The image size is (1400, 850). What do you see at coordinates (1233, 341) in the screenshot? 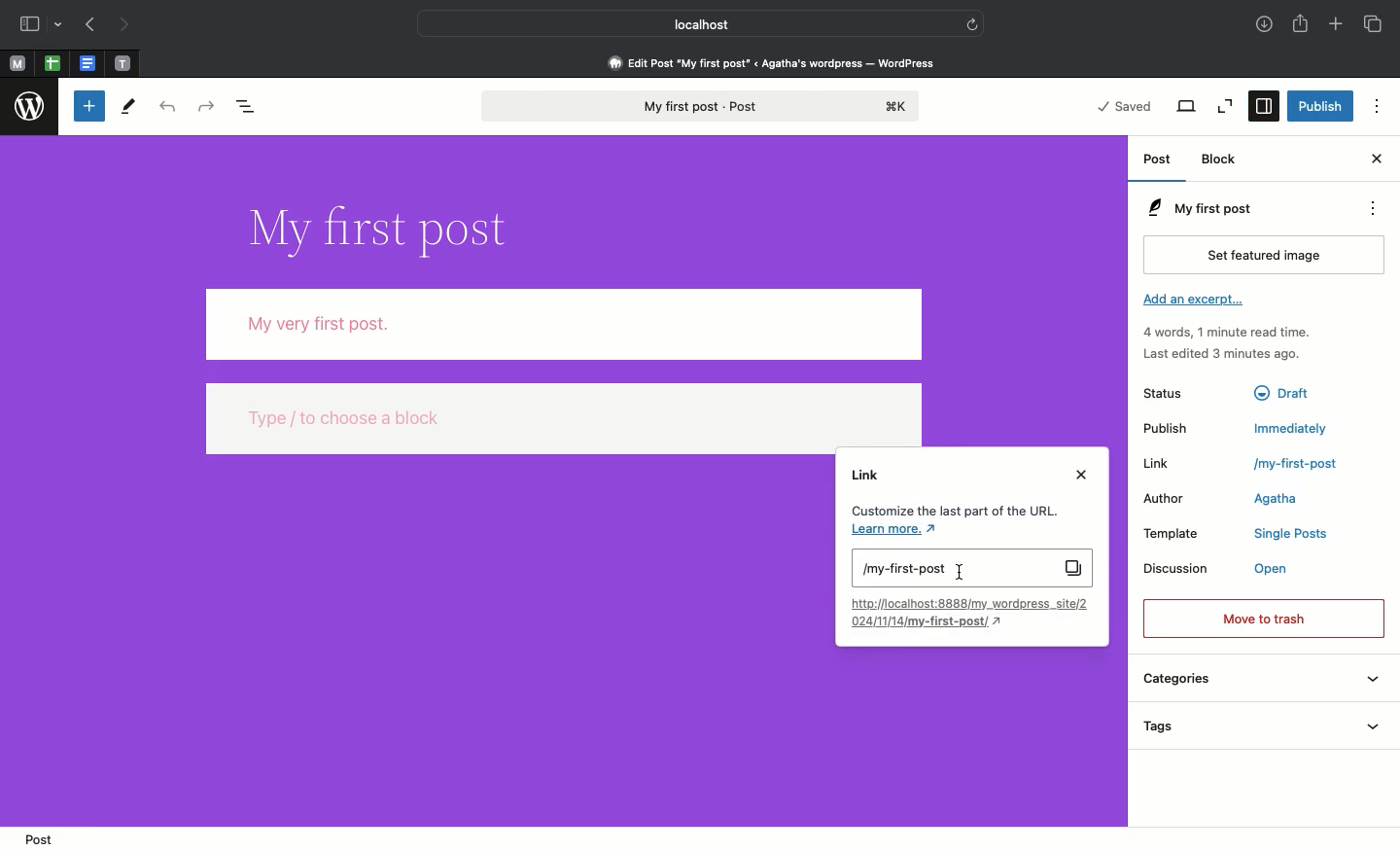
I see `Activity` at bounding box center [1233, 341].